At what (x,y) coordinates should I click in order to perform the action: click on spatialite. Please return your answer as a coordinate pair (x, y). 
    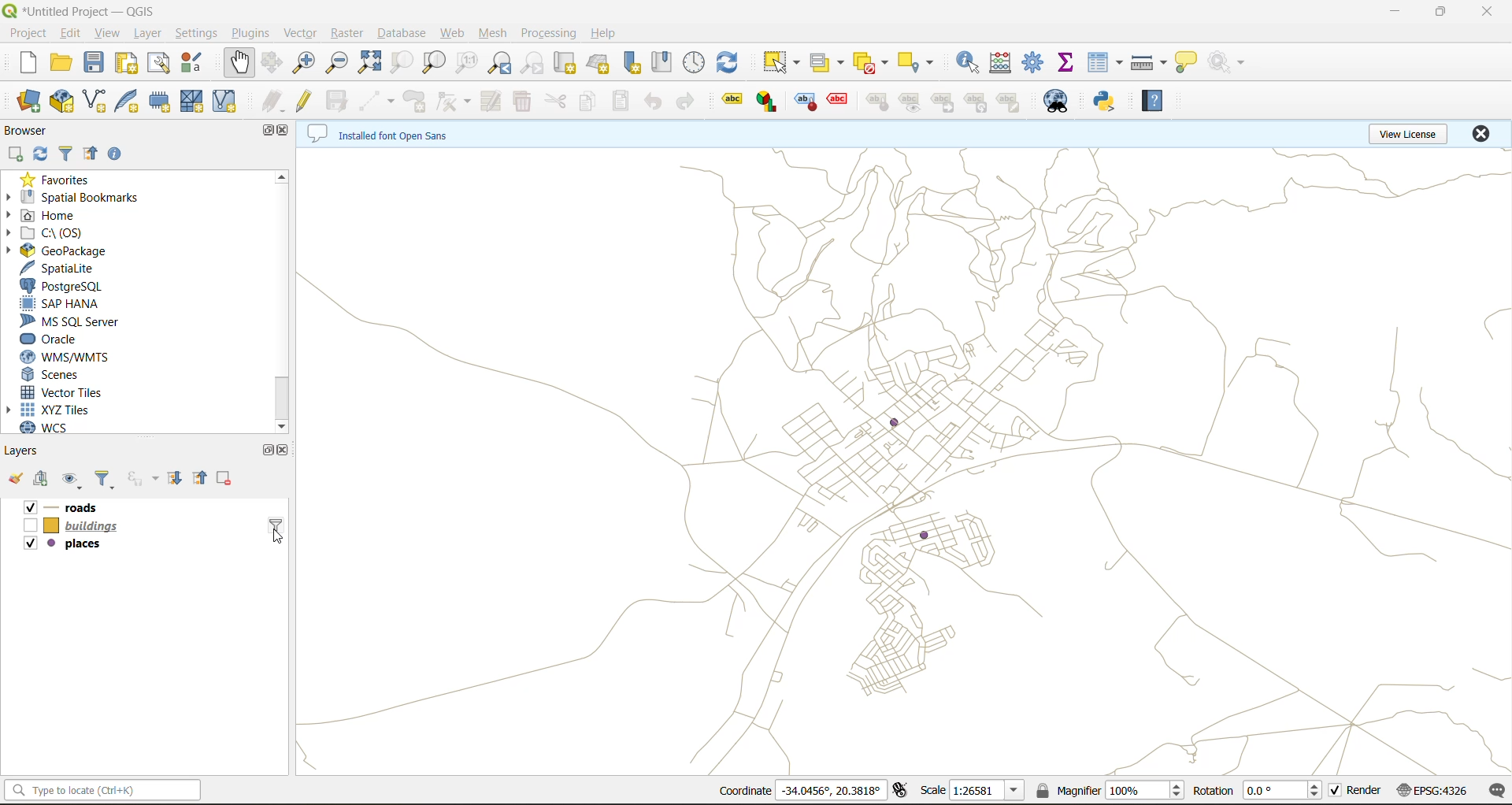
    Looking at the image, I should click on (67, 268).